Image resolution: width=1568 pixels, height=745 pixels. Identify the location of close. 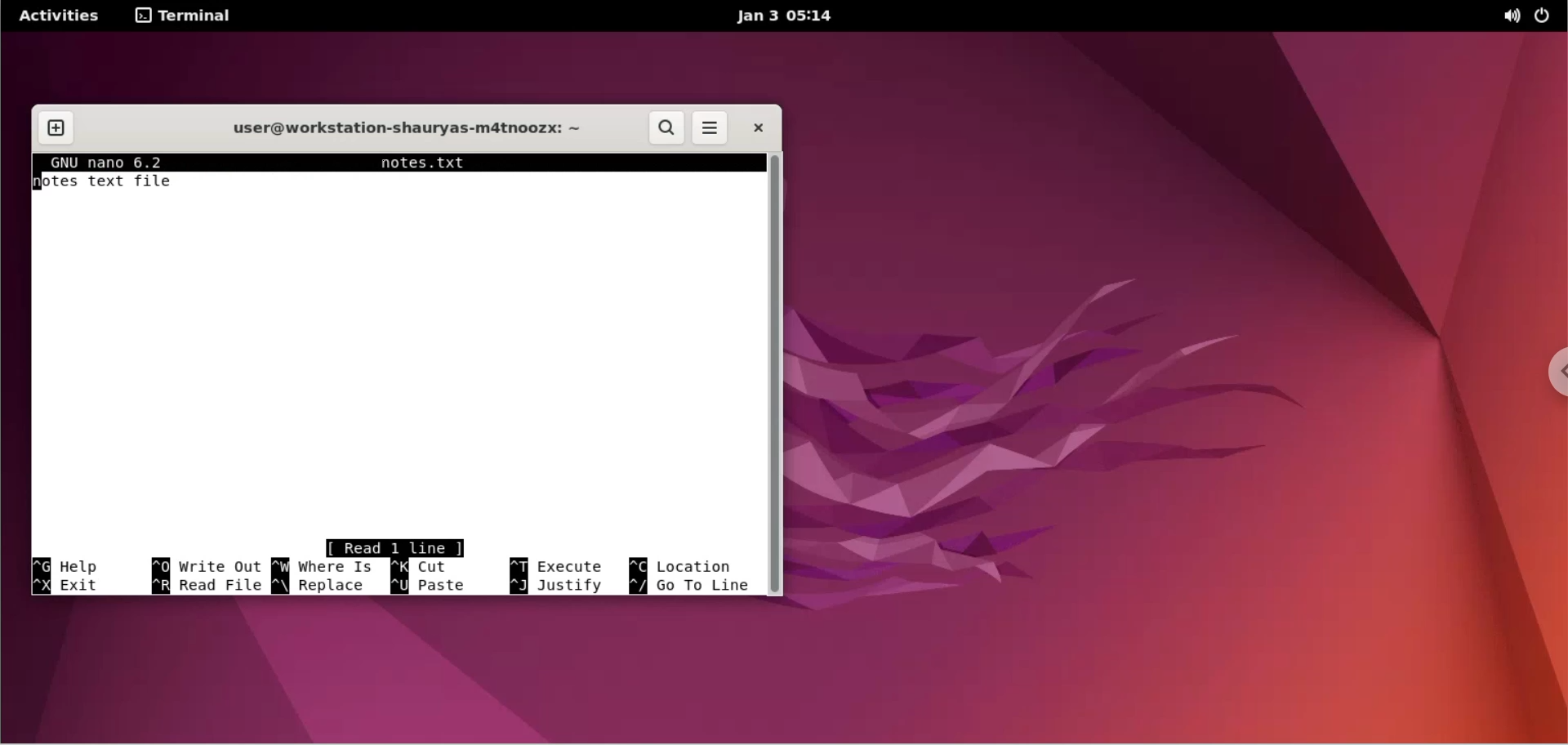
(760, 128).